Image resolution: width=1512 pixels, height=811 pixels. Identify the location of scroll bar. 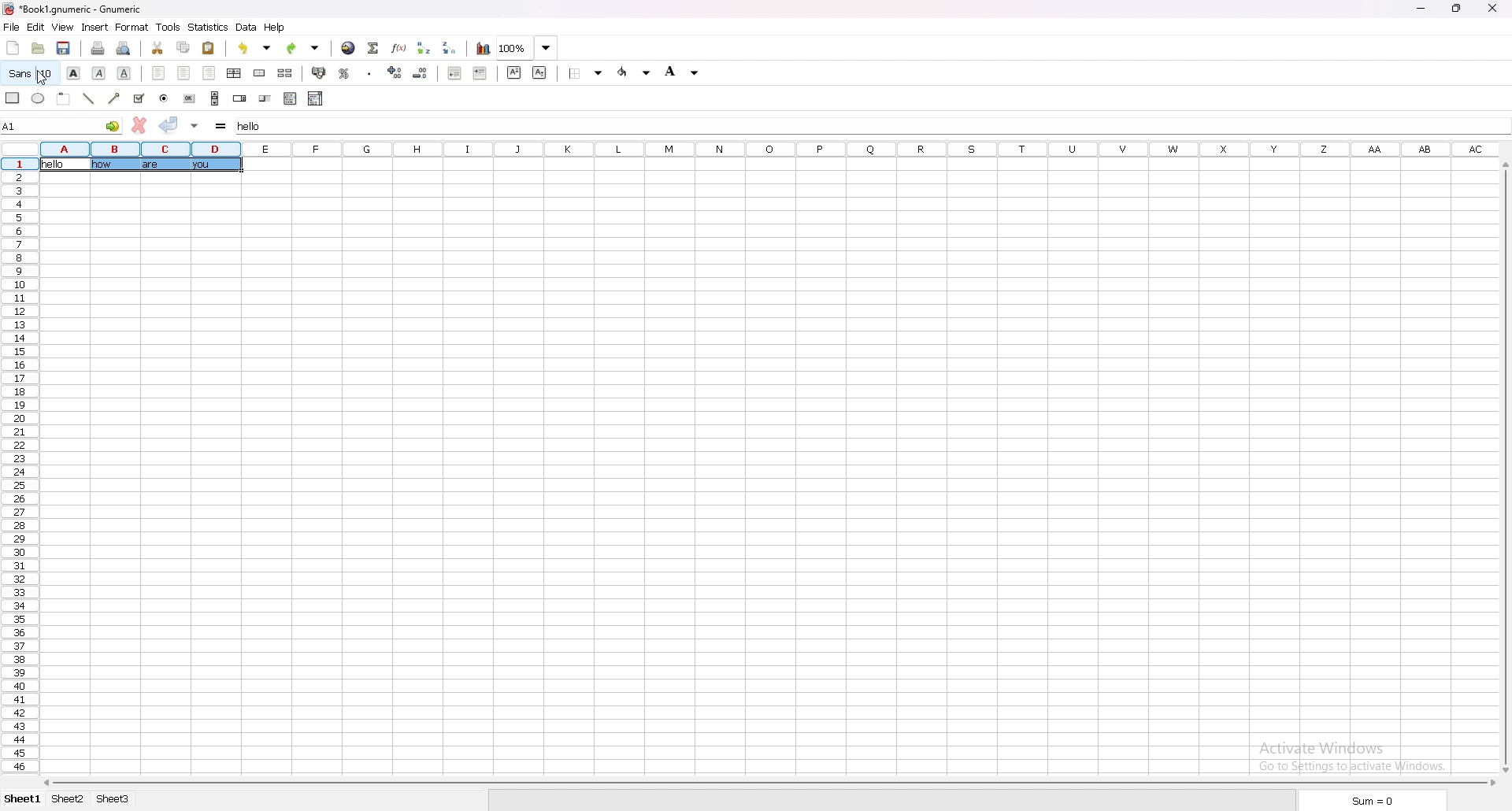
(215, 98).